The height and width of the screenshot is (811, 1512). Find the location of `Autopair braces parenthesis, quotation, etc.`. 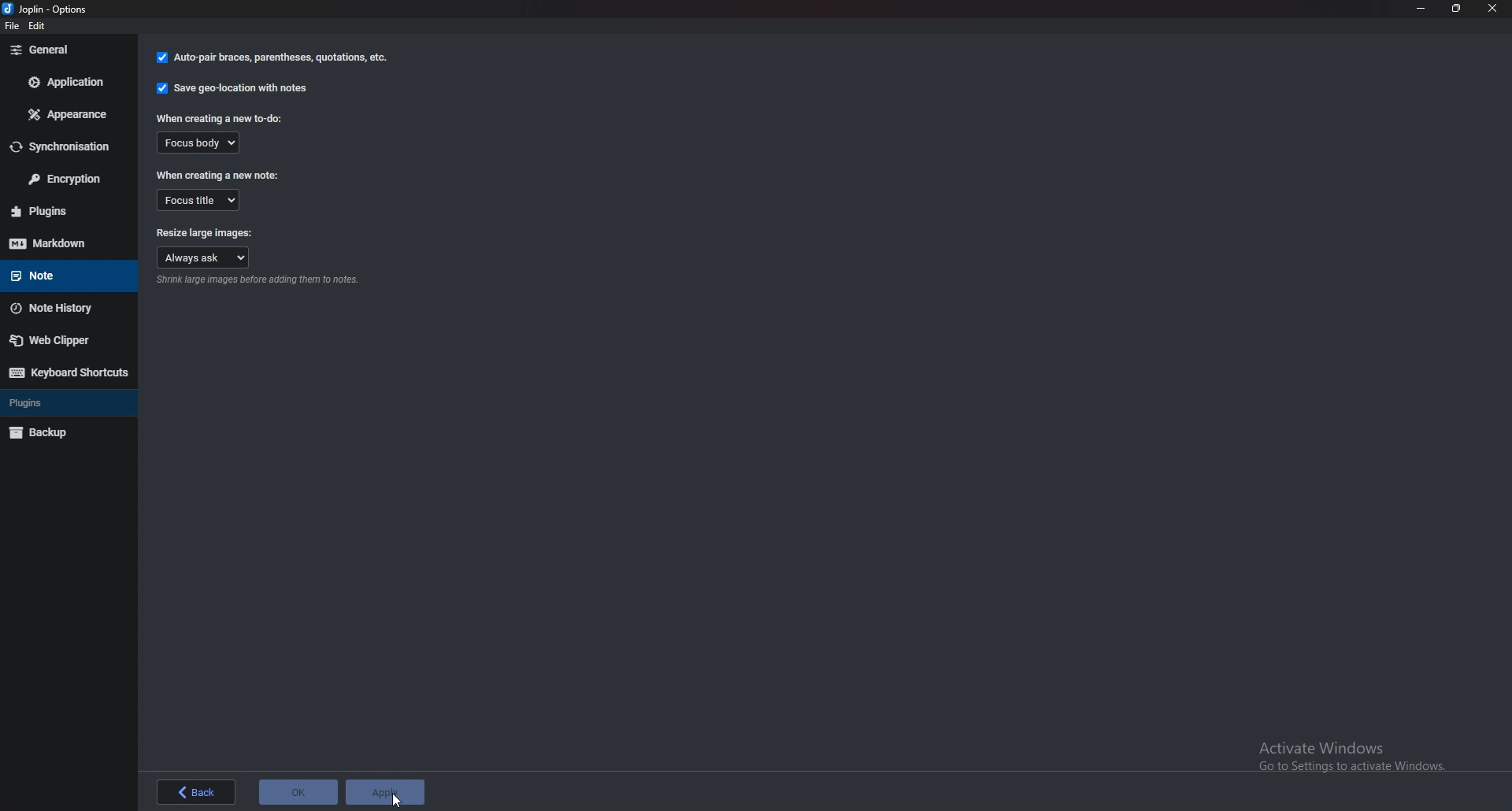

Autopair braces parenthesis, quotation, etc. is located at coordinates (272, 57).